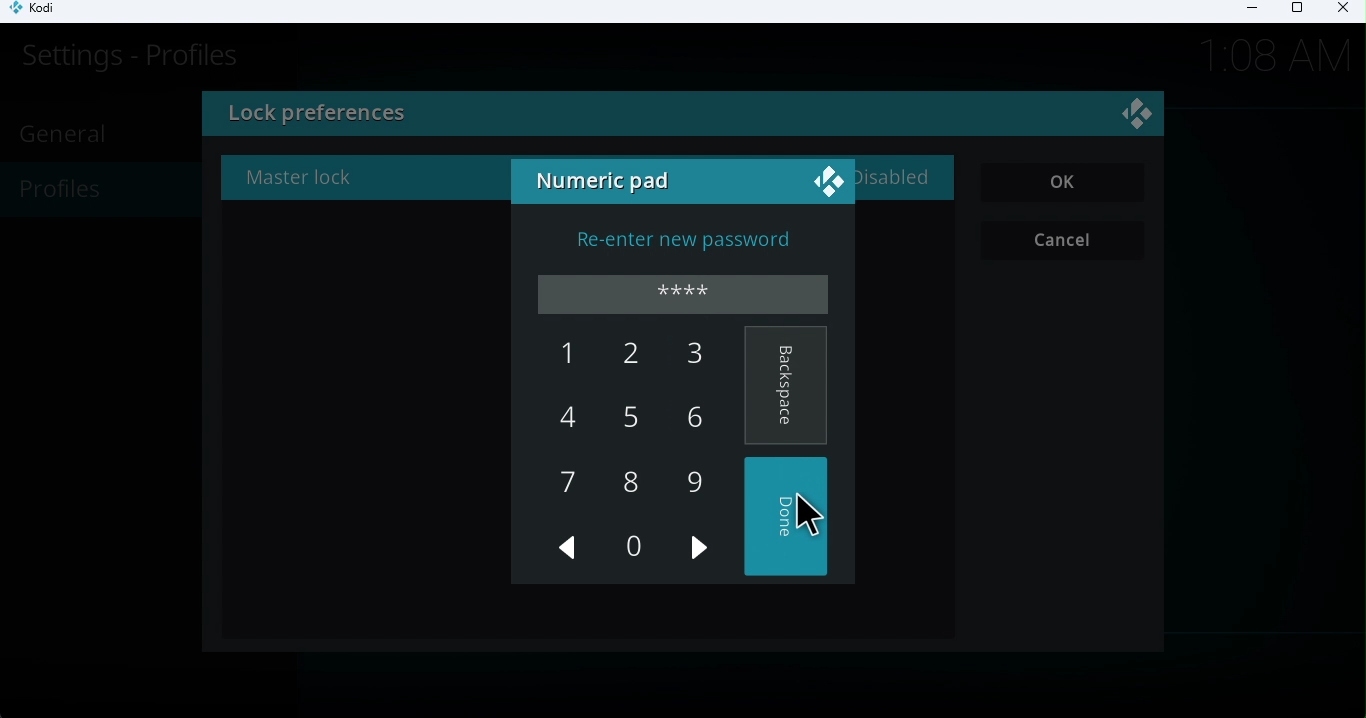 The image size is (1366, 718). Describe the element at coordinates (559, 355) in the screenshot. I see `1` at that location.